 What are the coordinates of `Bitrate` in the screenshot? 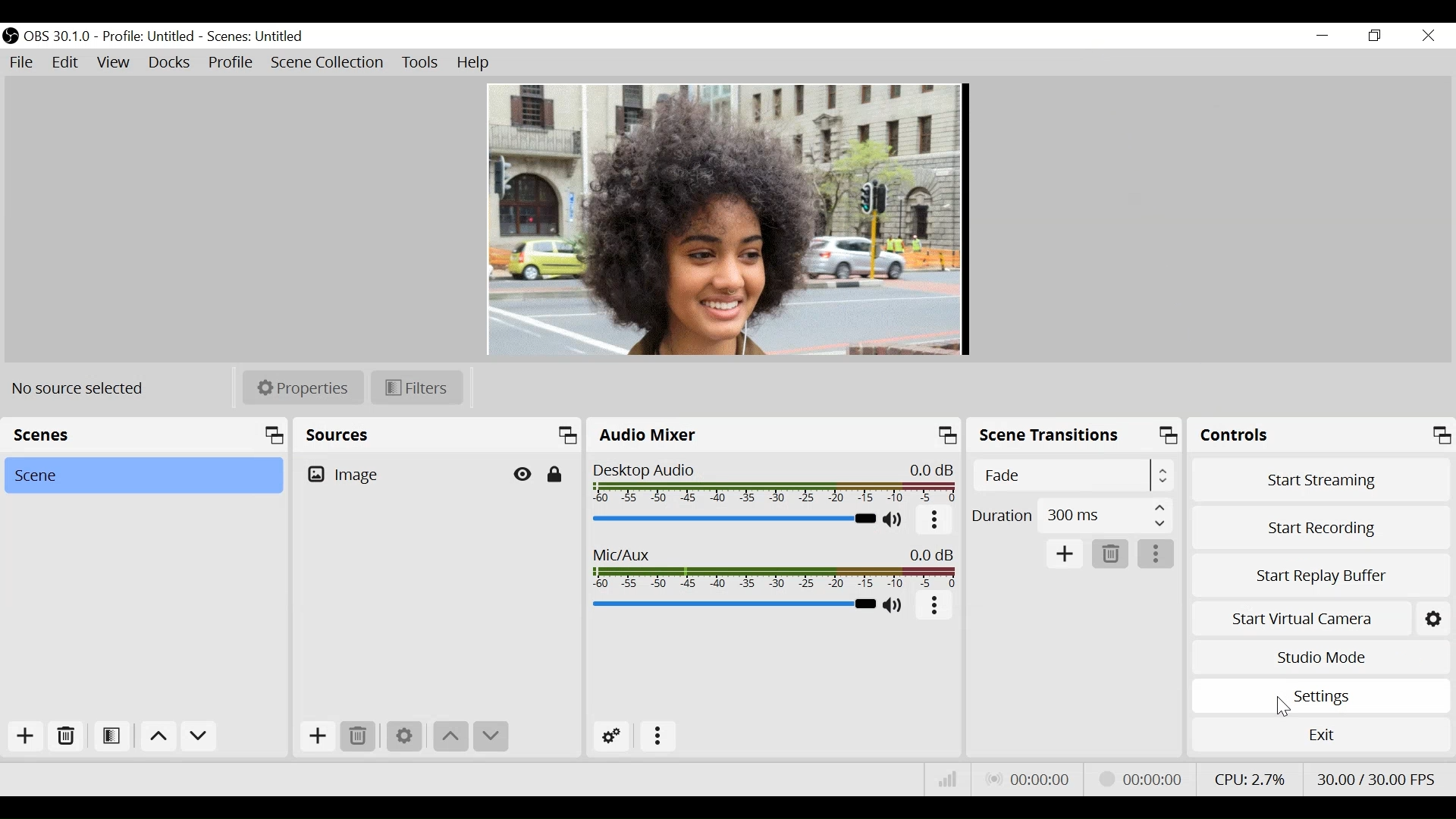 It's located at (949, 783).